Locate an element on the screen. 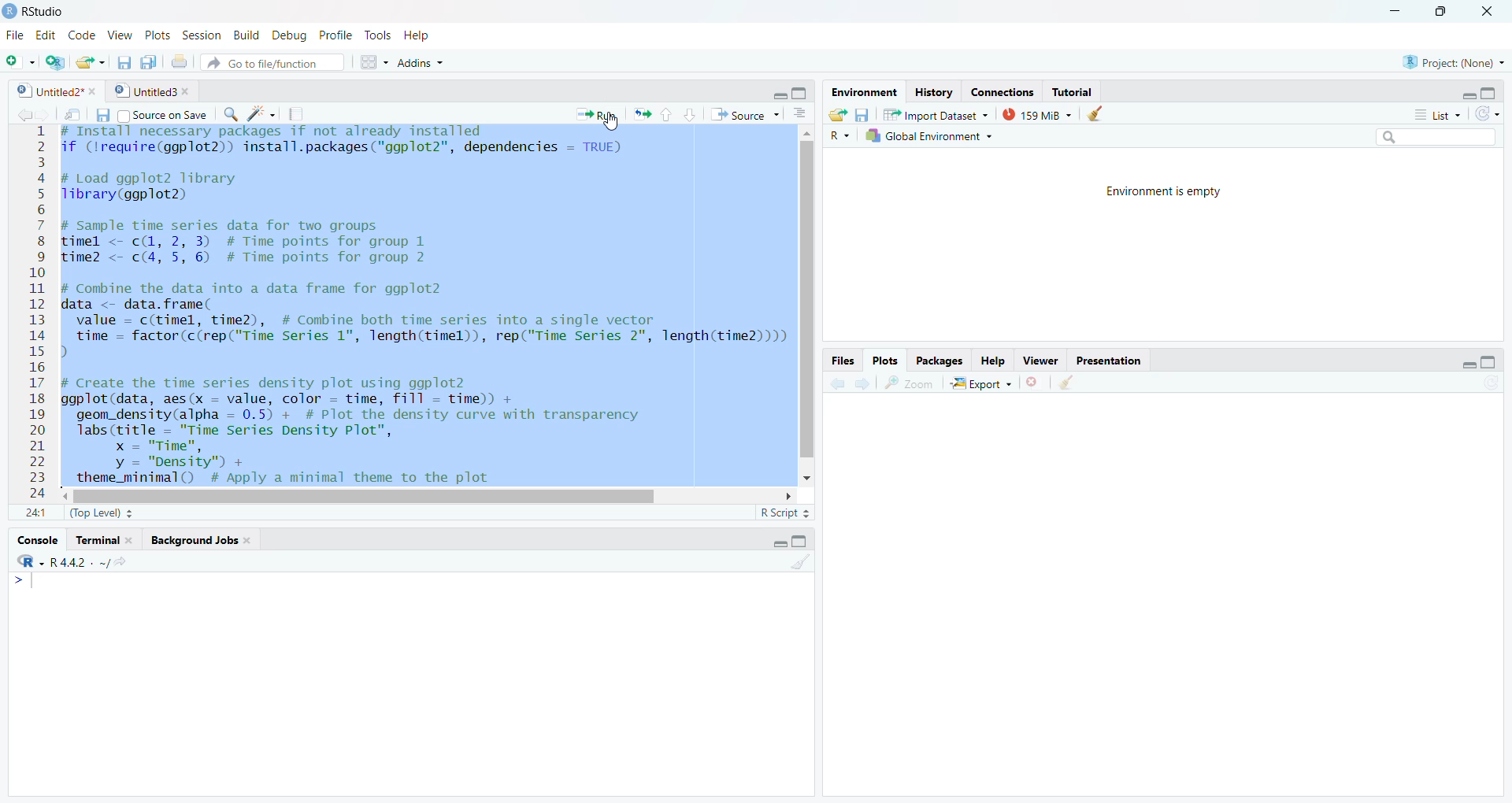  Maximize is located at coordinates (799, 541).